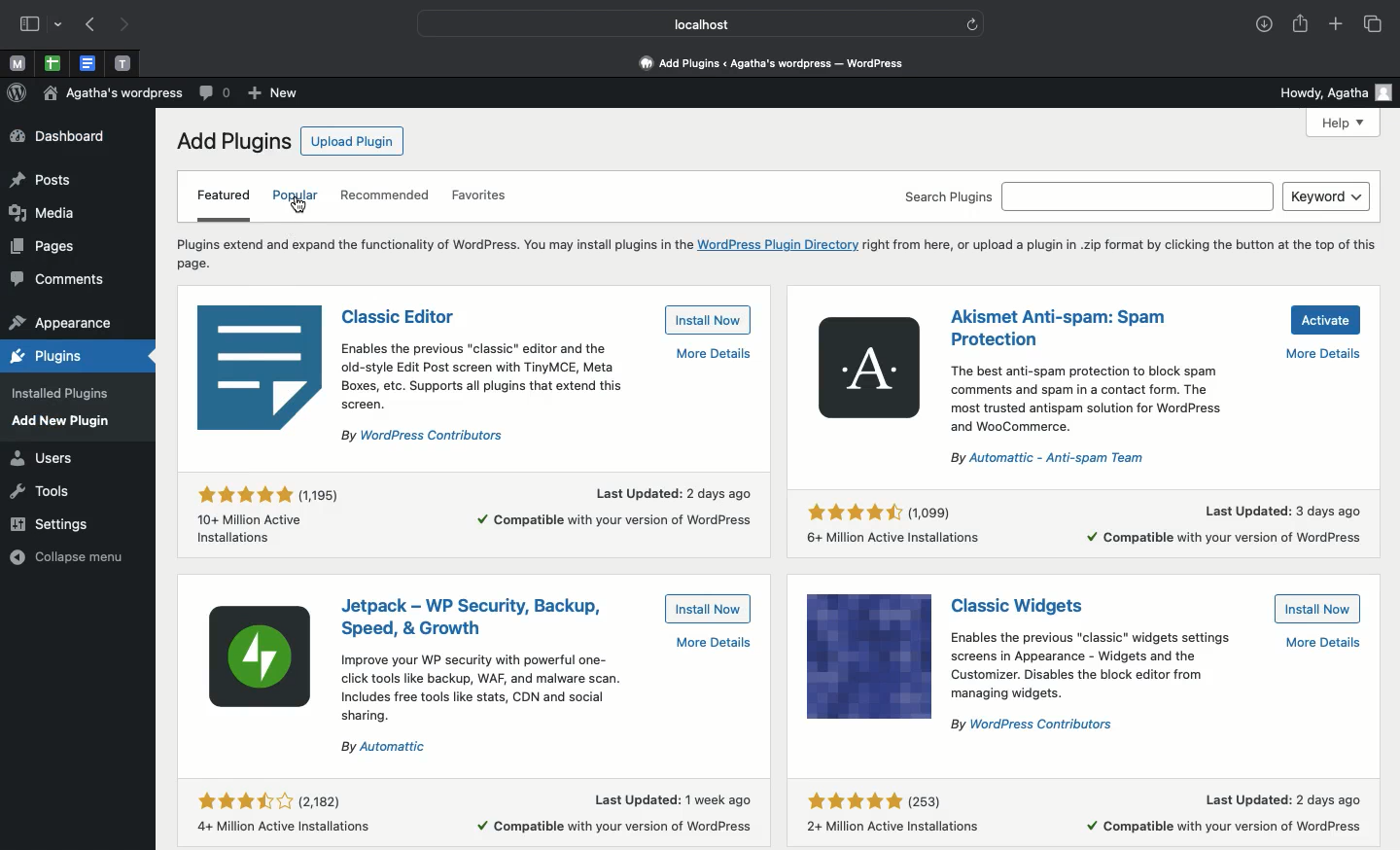 The height and width of the screenshot is (850, 1400). Describe the element at coordinates (1261, 26) in the screenshot. I see `Downloads` at that location.